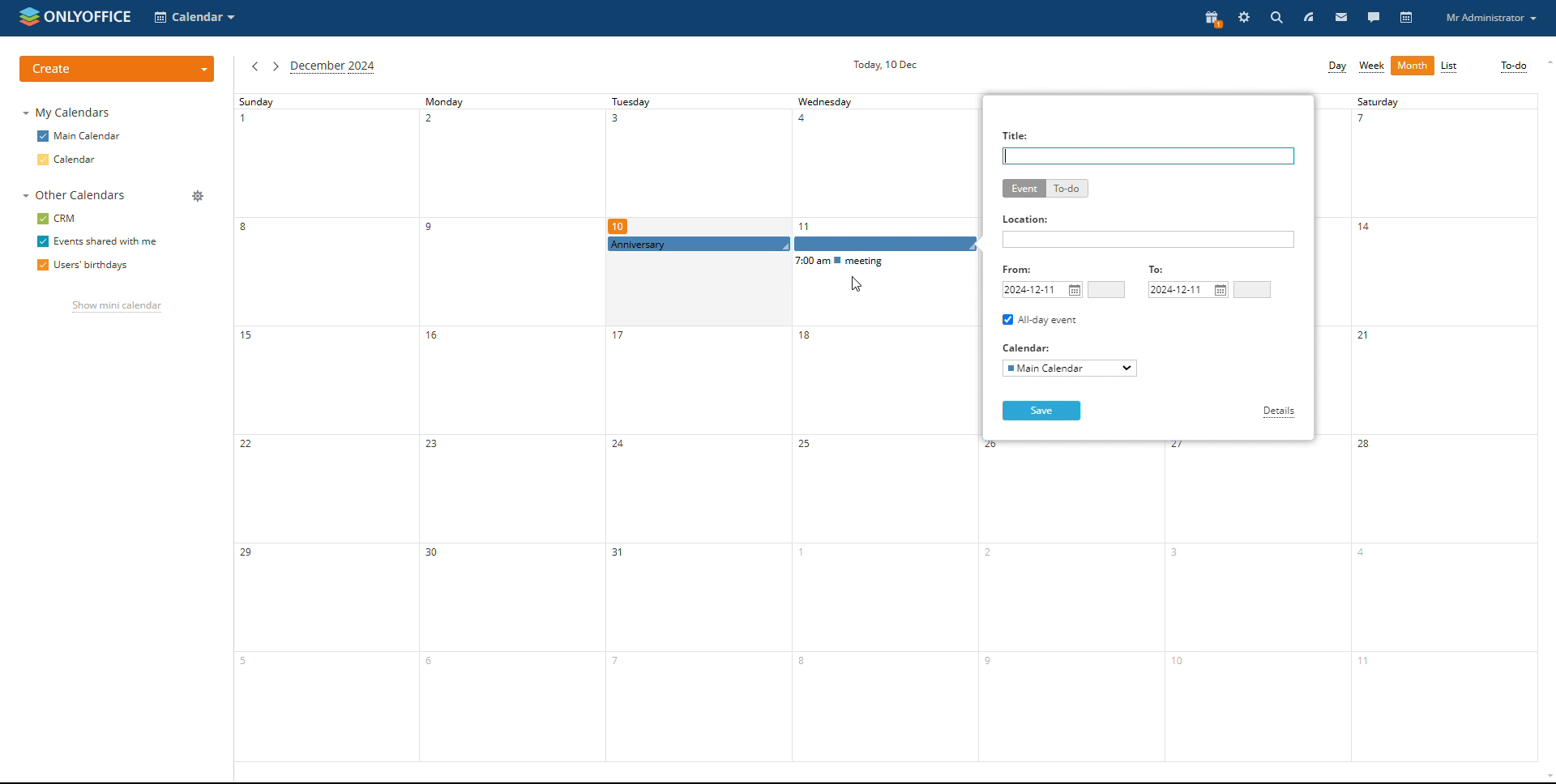  Describe the element at coordinates (1450, 66) in the screenshot. I see `list view` at that location.